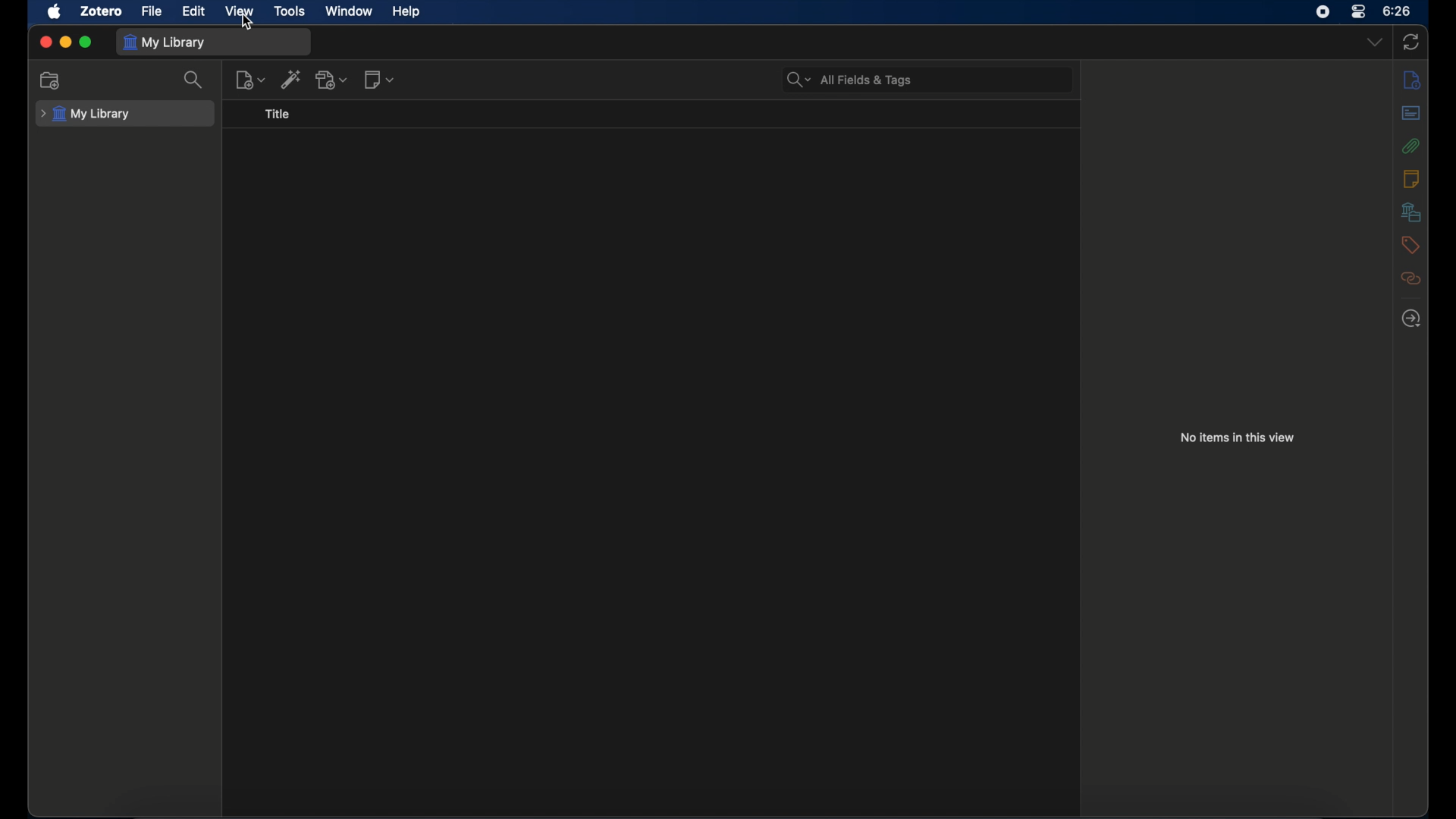 The height and width of the screenshot is (819, 1456). I want to click on time, so click(1398, 10).